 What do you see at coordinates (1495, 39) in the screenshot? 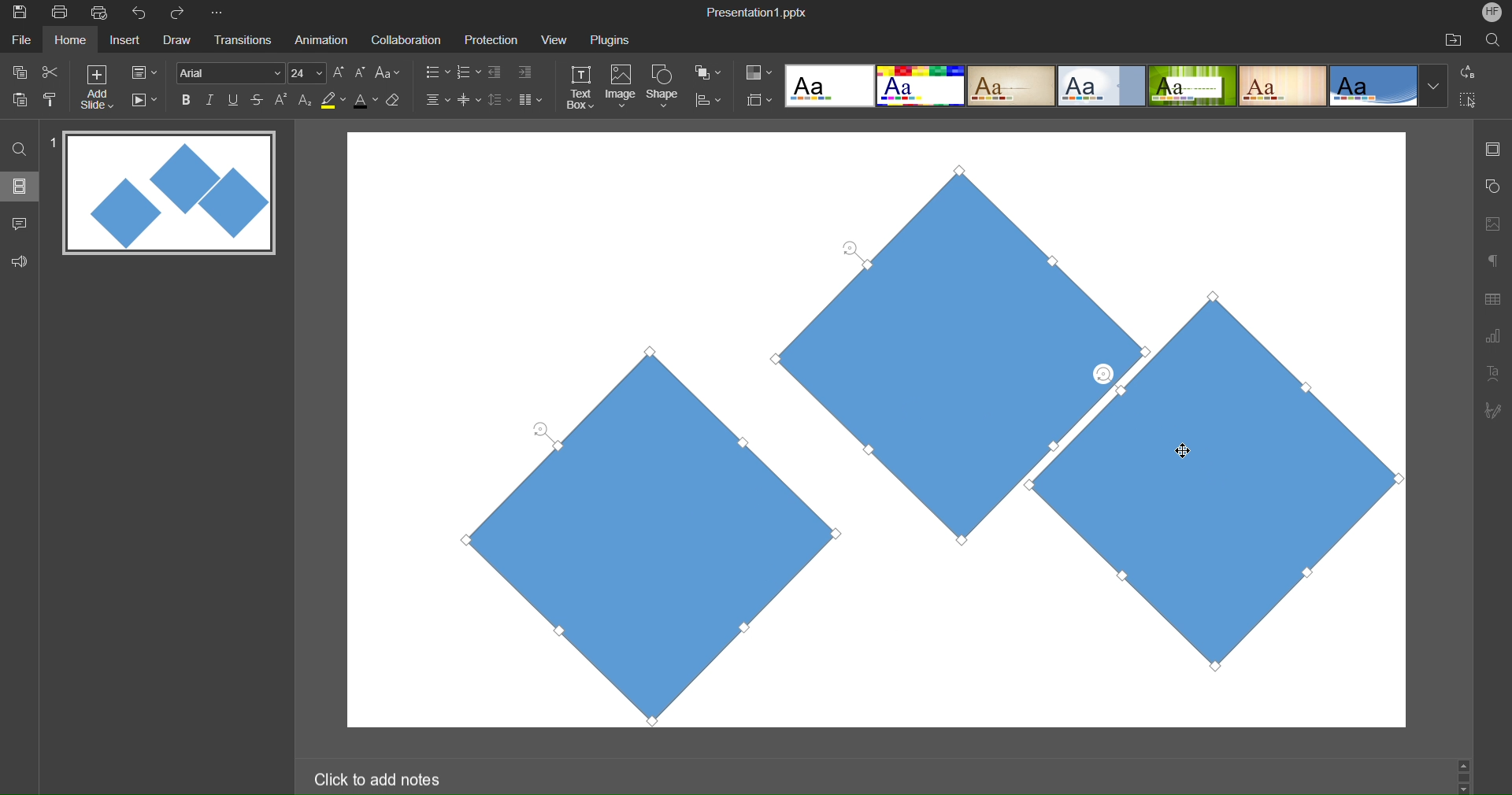
I see `search` at bounding box center [1495, 39].